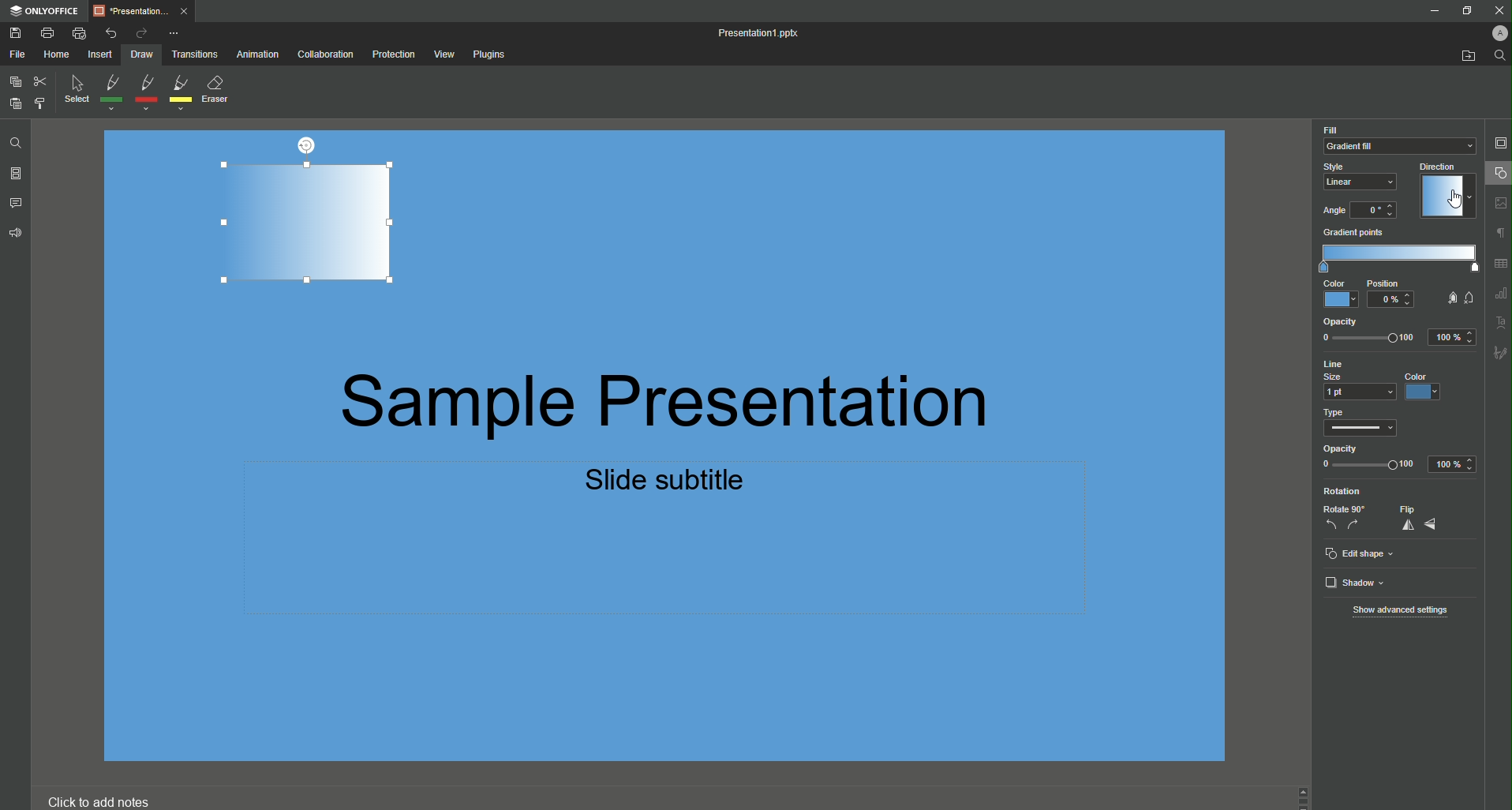 The height and width of the screenshot is (810, 1512). I want to click on Plugins, so click(492, 55).